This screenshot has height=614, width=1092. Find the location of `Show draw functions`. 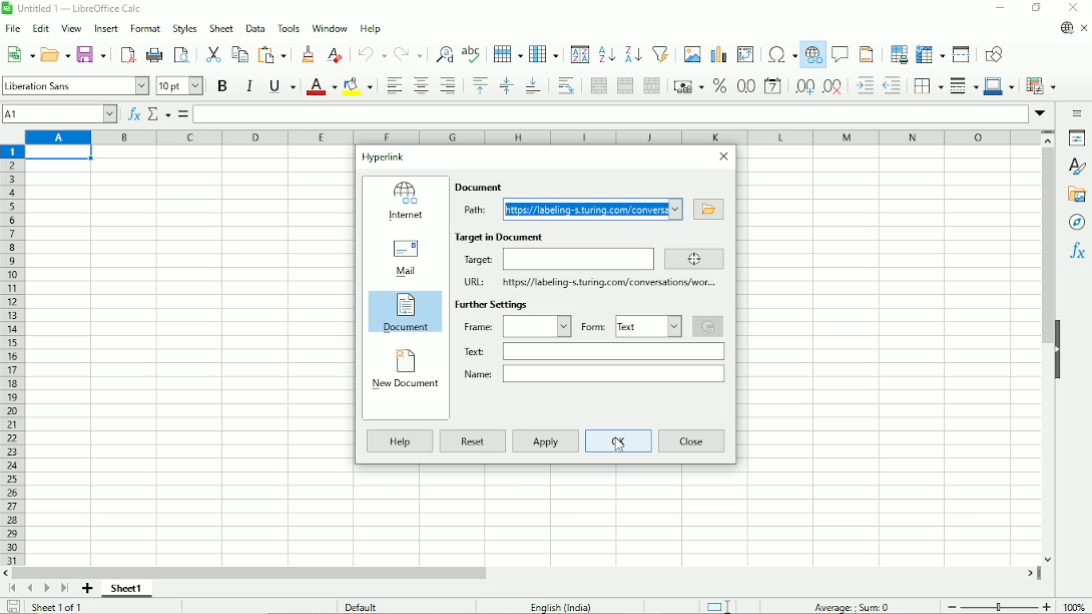

Show draw functions is located at coordinates (995, 55).